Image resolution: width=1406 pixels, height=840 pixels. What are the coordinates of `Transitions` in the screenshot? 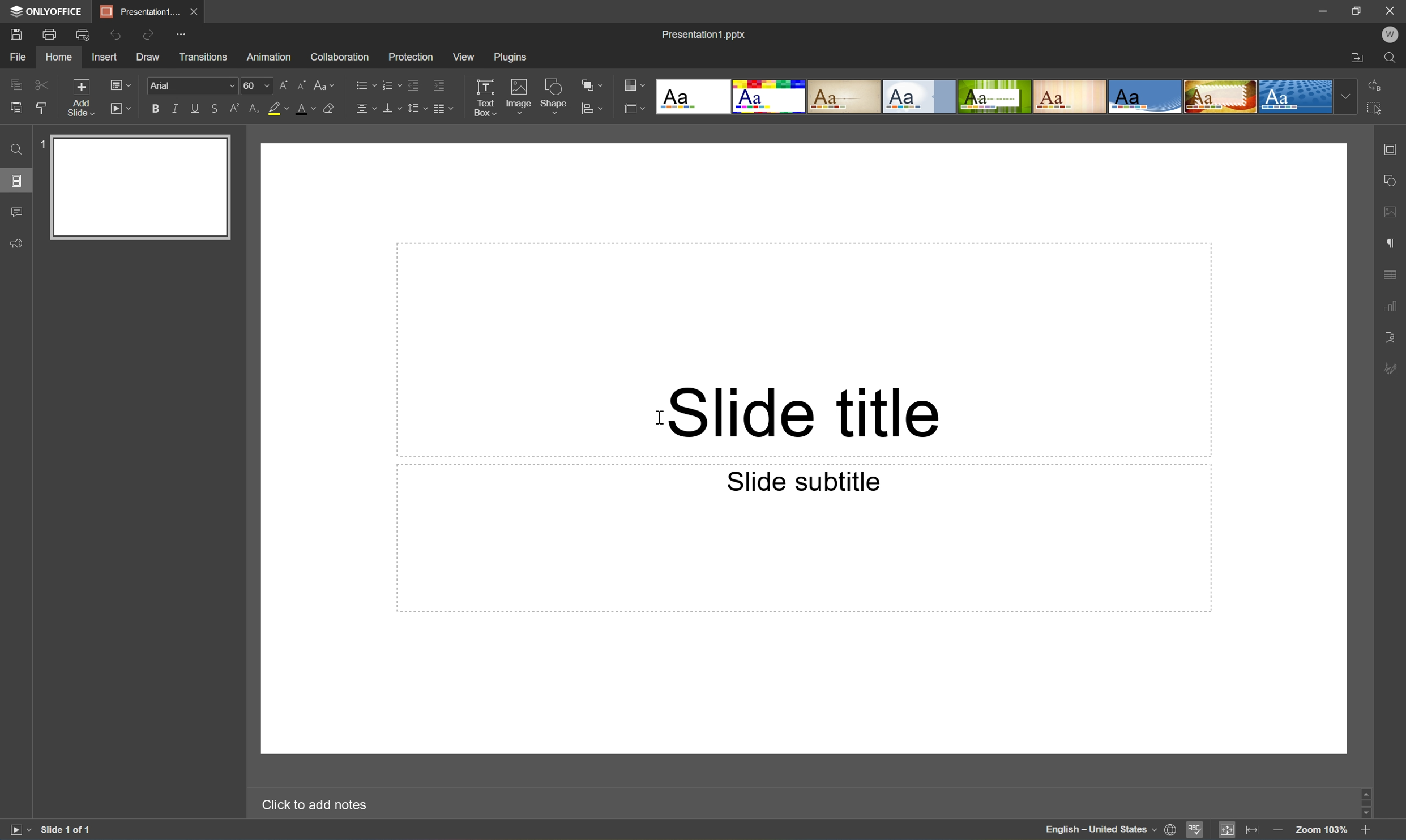 It's located at (203, 58).